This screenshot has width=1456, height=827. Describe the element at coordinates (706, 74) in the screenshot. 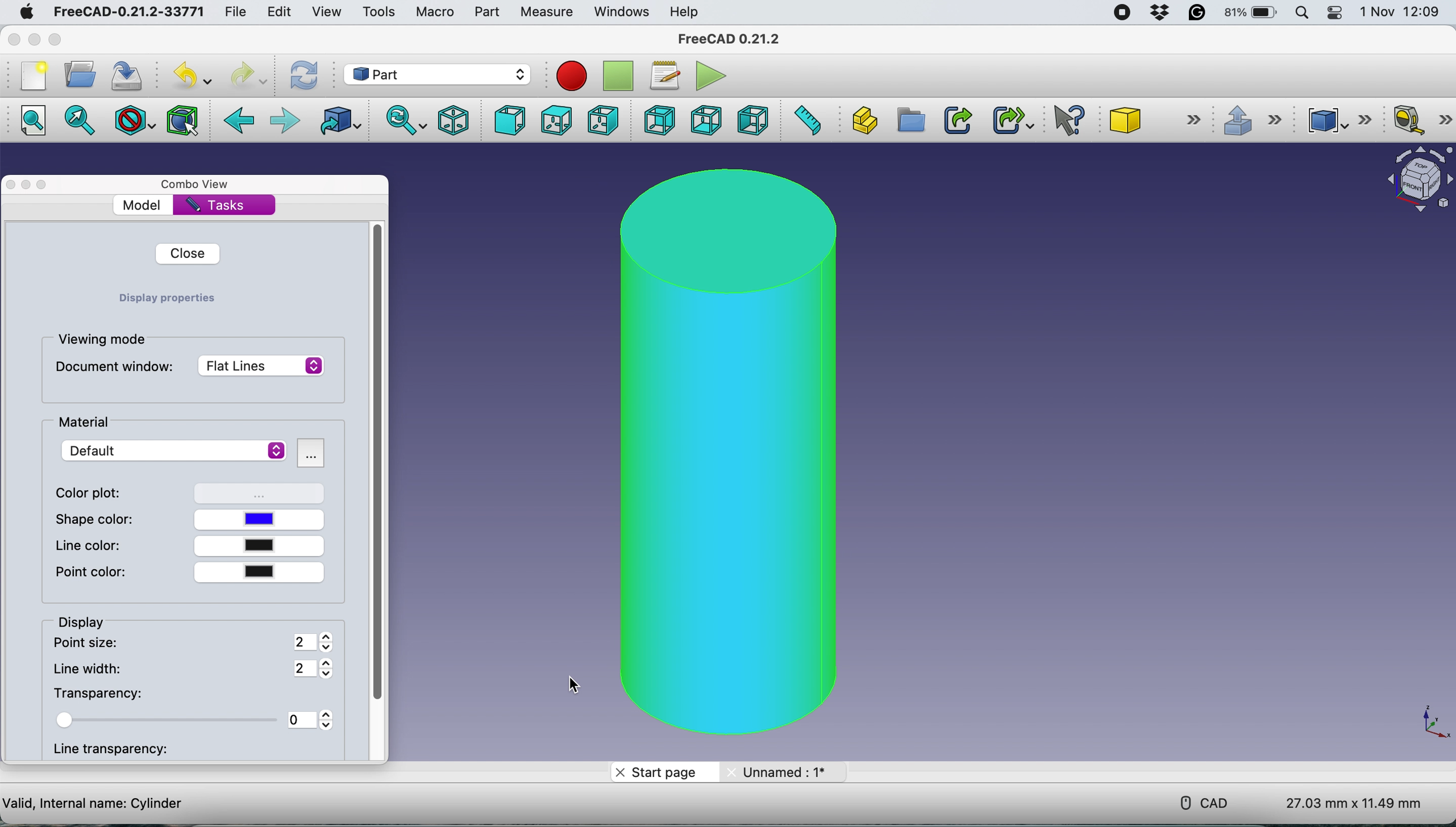

I see `execute macros` at that location.